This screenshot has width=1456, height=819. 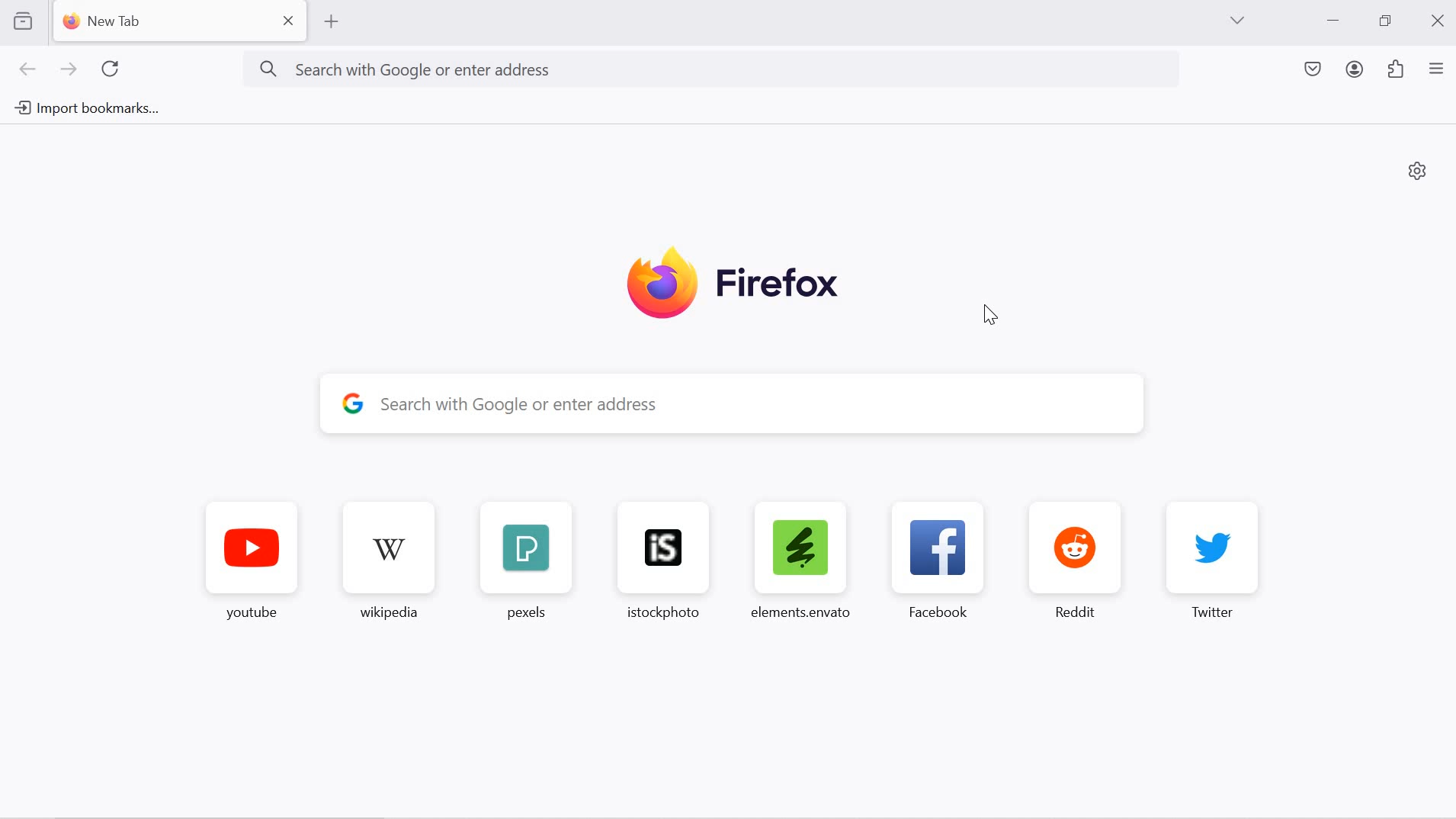 What do you see at coordinates (354, 406) in the screenshot?
I see `google logo` at bounding box center [354, 406].